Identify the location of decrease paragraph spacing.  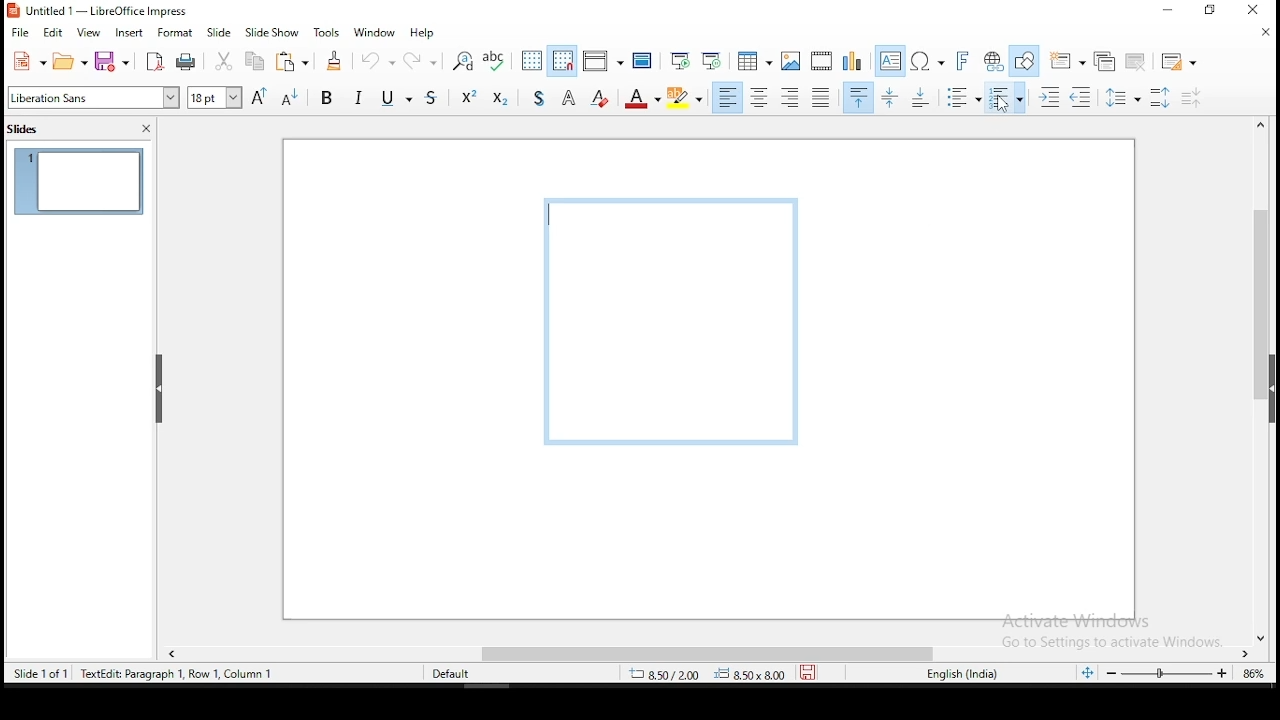
(1193, 98).